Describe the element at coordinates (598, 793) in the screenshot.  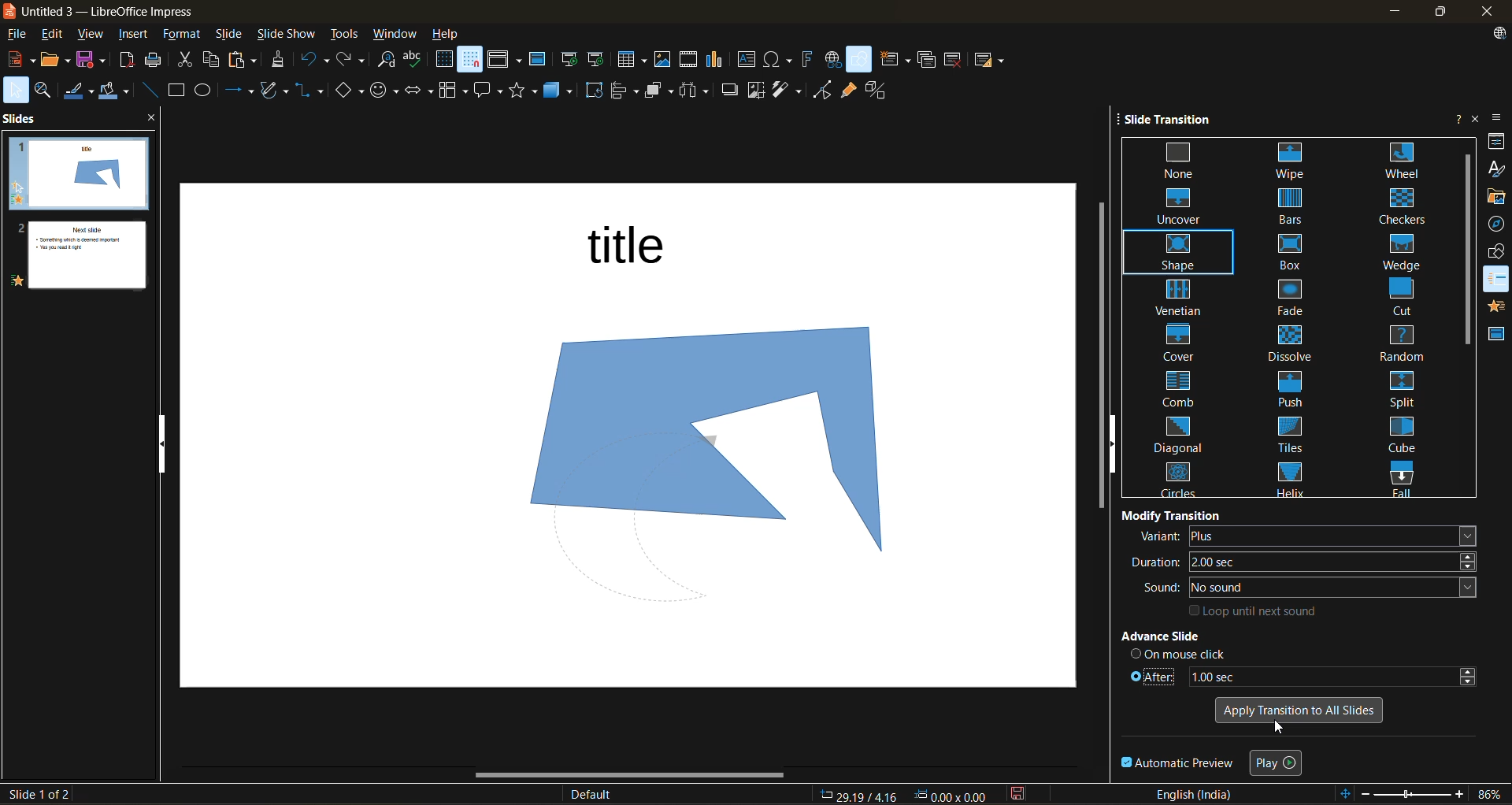
I see `slide master name` at that location.